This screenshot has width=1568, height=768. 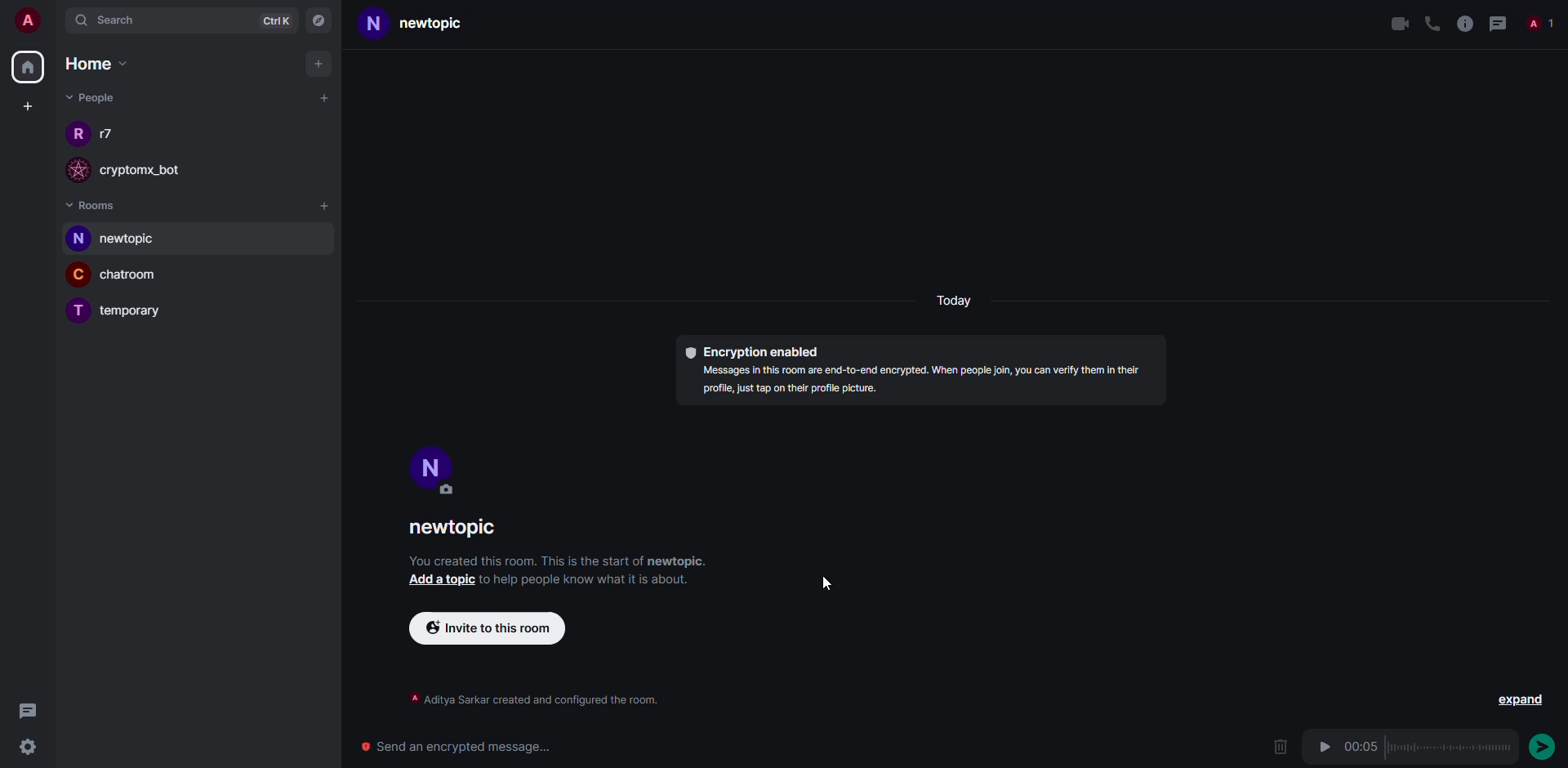 I want to click on info, so click(x=559, y=561).